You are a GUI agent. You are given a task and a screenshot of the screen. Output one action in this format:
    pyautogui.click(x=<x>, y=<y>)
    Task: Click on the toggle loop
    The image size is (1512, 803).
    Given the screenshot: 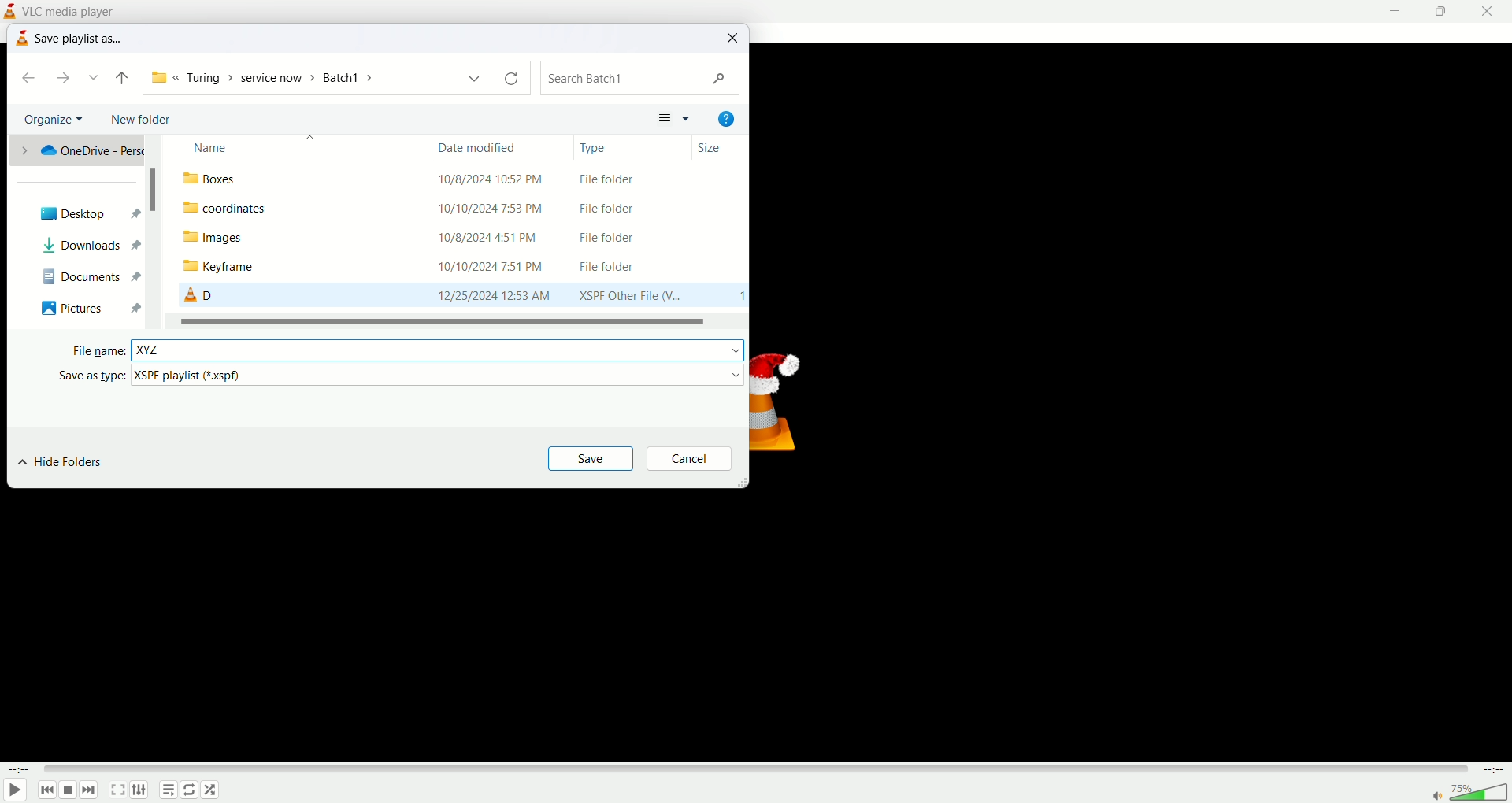 What is the action you would take?
    pyautogui.click(x=188, y=790)
    